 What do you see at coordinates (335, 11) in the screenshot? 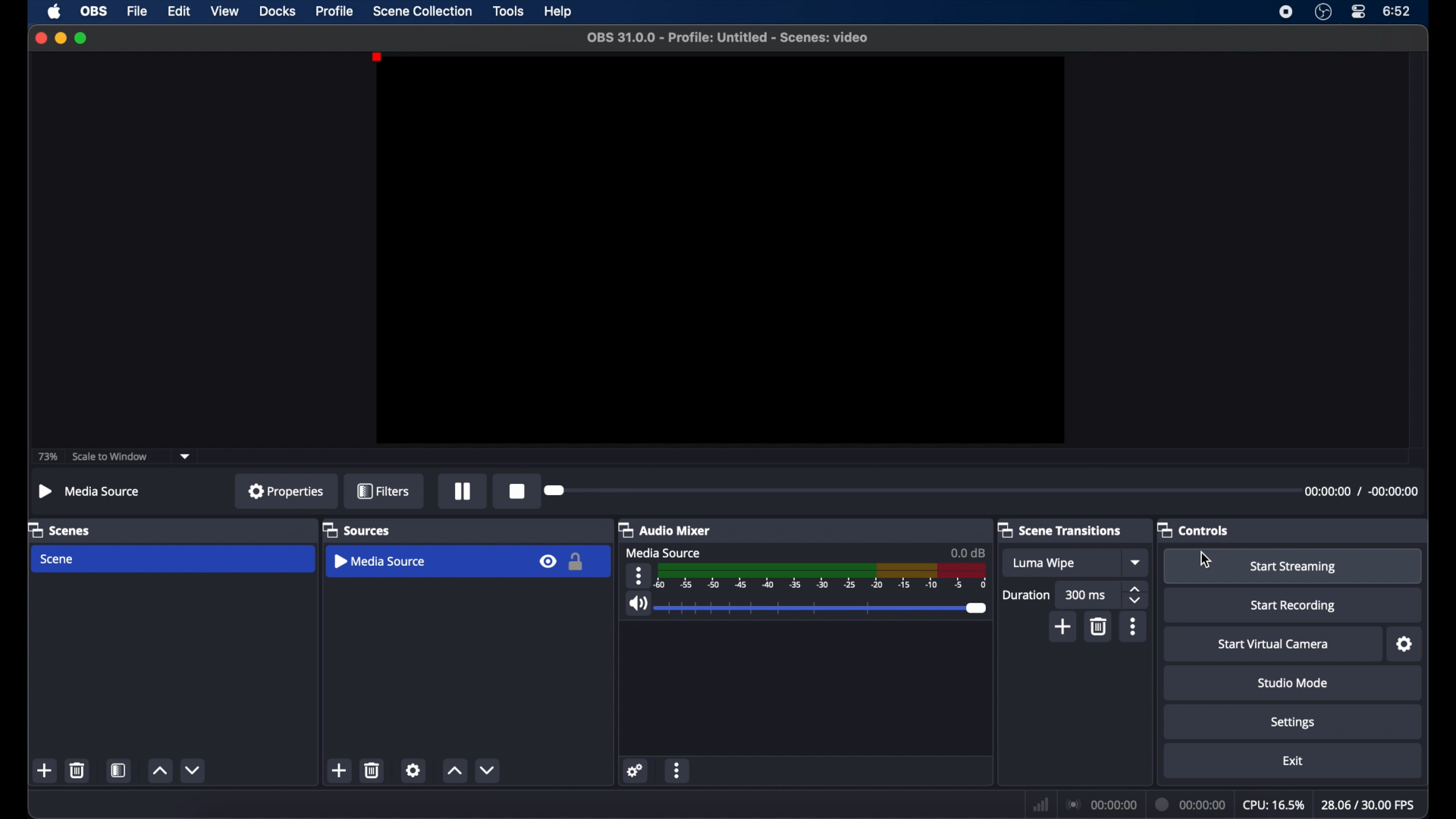
I see `profile` at bounding box center [335, 11].